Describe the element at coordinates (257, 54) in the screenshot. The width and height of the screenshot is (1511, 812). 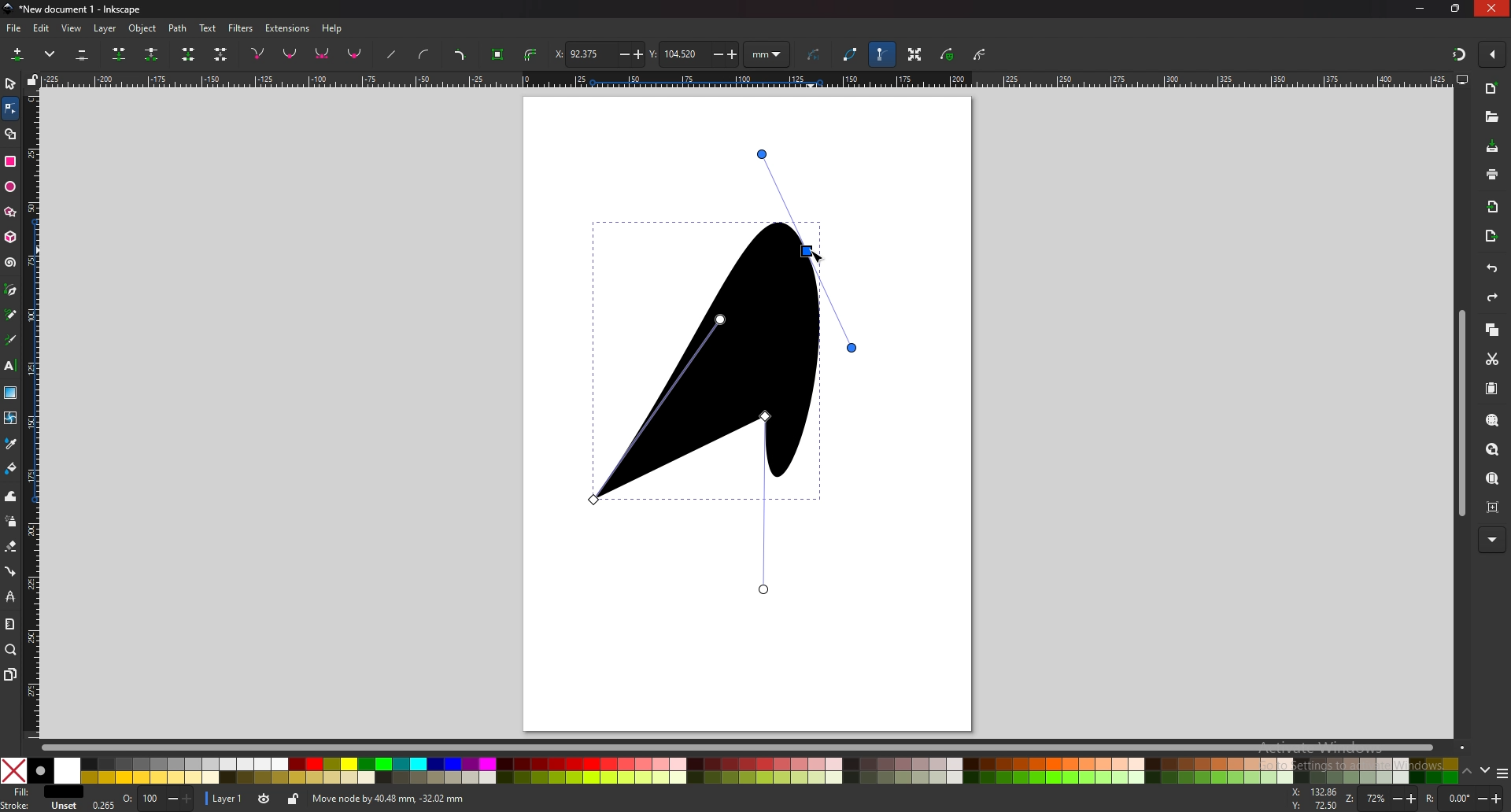
I see `nodes corner` at that location.